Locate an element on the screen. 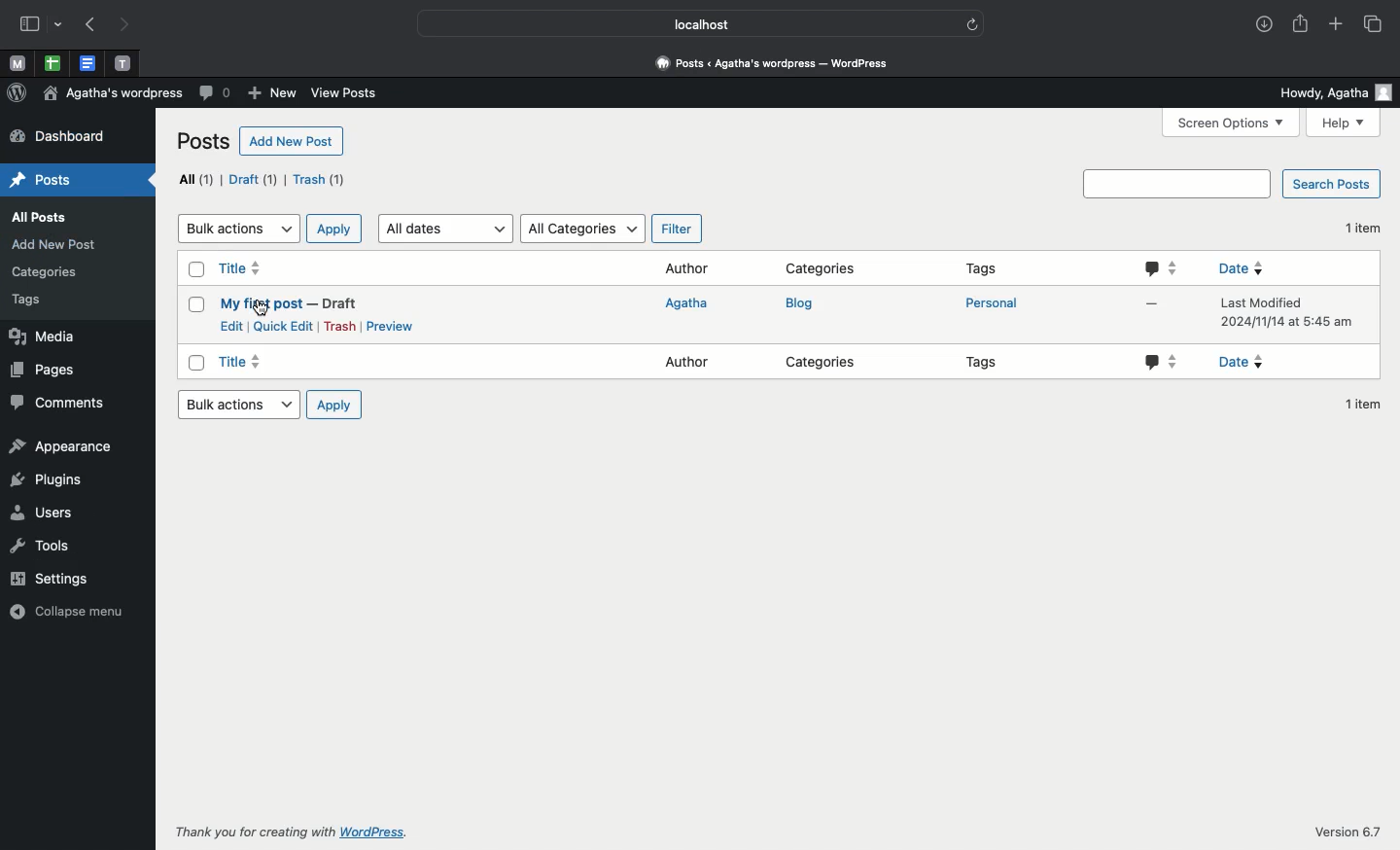 The image size is (1400, 850). Version 6.7 is located at coordinates (1347, 830).